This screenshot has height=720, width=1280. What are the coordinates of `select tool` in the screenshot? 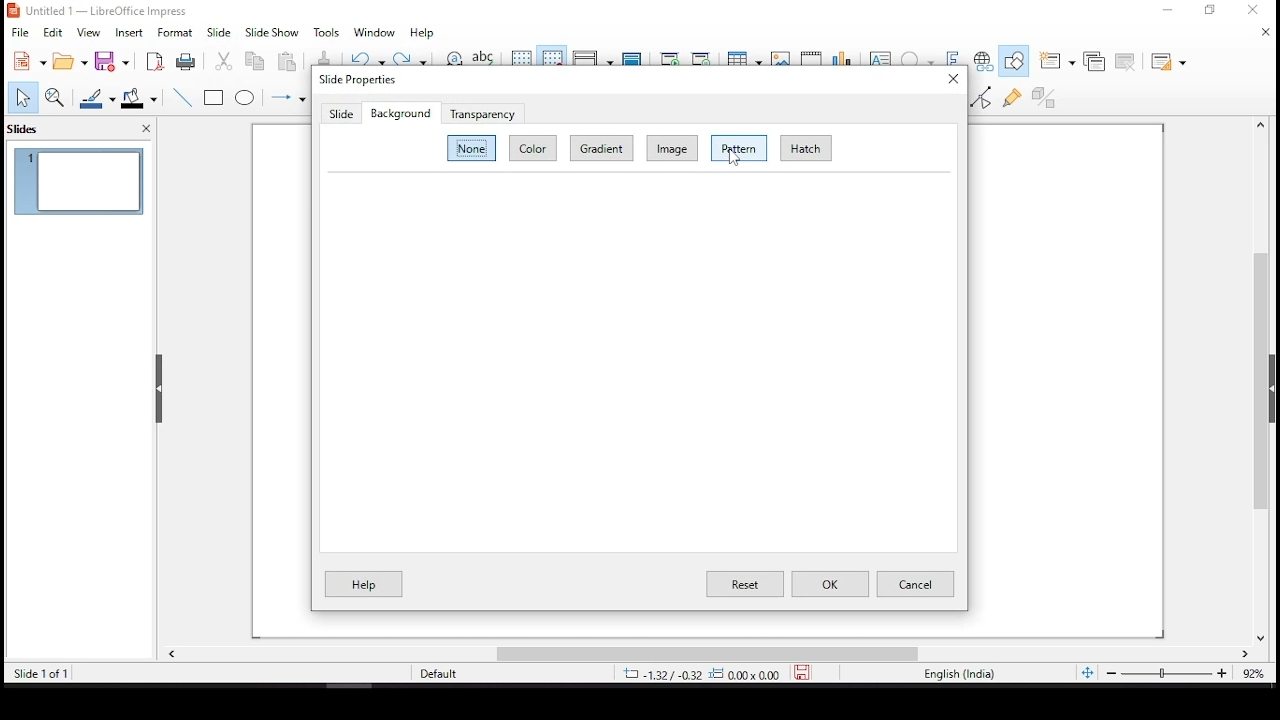 It's located at (22, 98).